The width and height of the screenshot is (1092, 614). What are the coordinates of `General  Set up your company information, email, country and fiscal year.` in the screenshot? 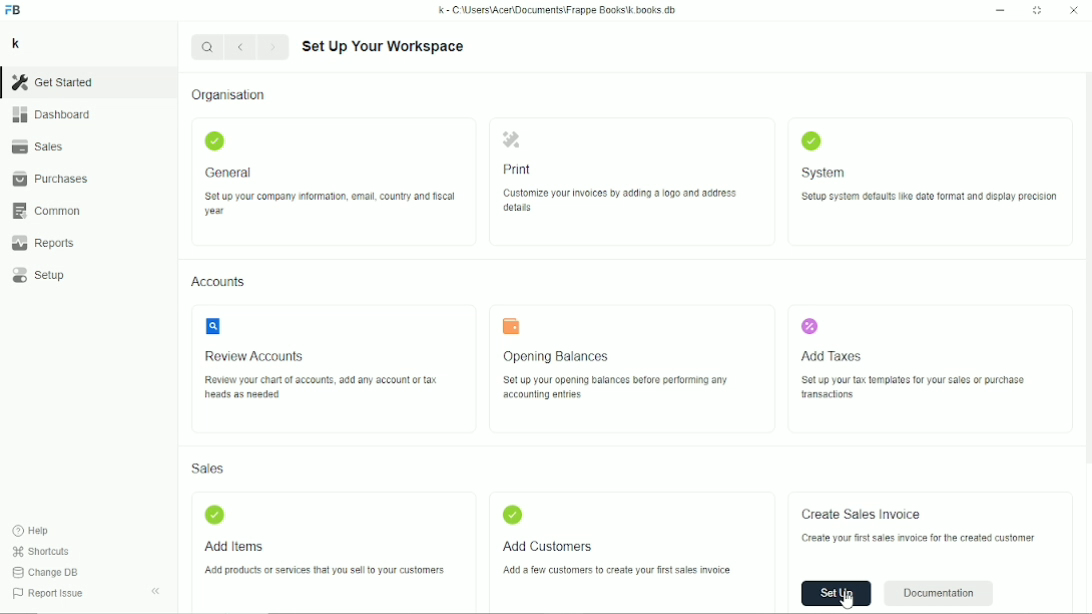 It's located at (327, 176).